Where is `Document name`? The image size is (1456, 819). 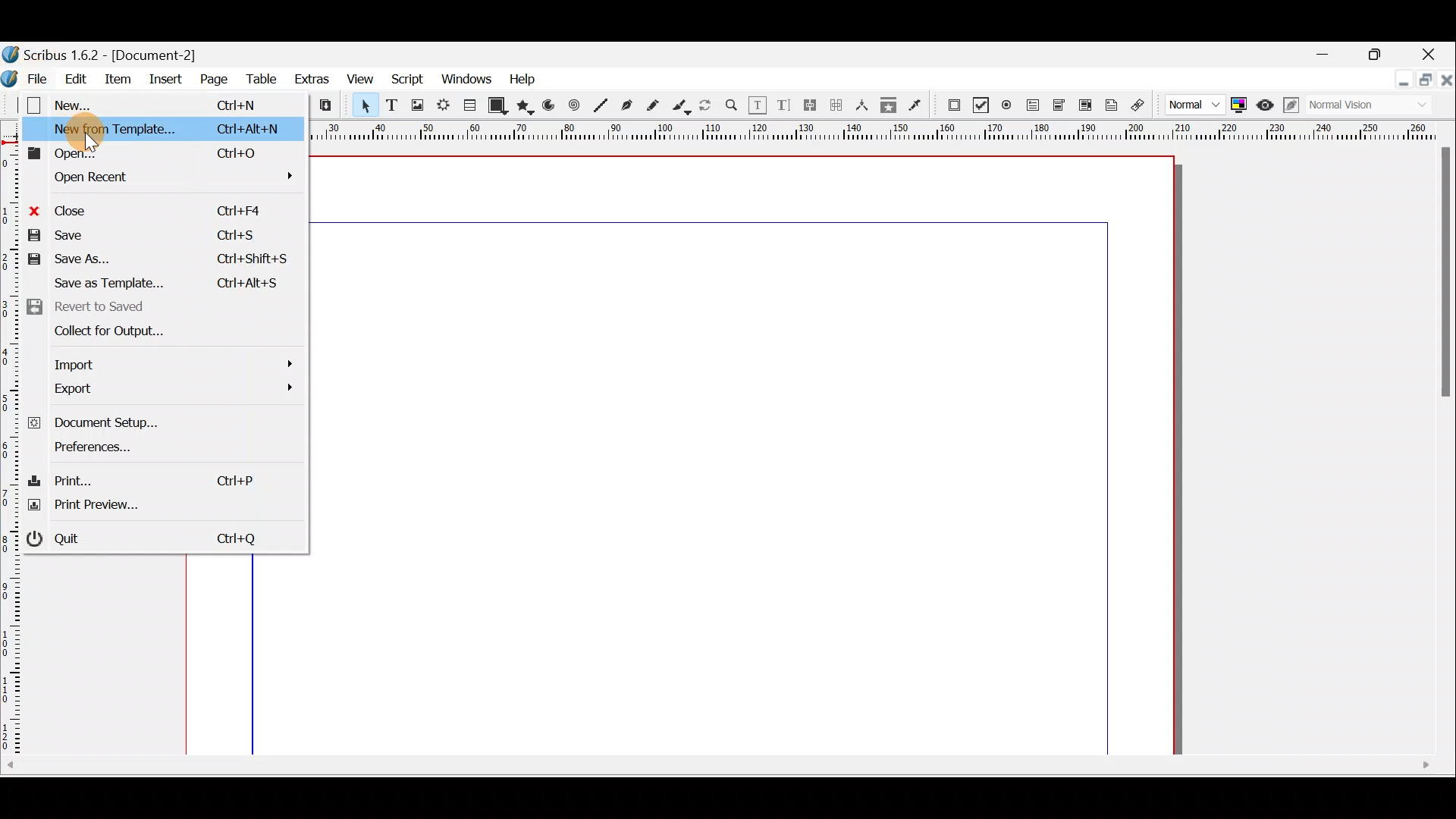 Document name is located at coordinates (108, 52).